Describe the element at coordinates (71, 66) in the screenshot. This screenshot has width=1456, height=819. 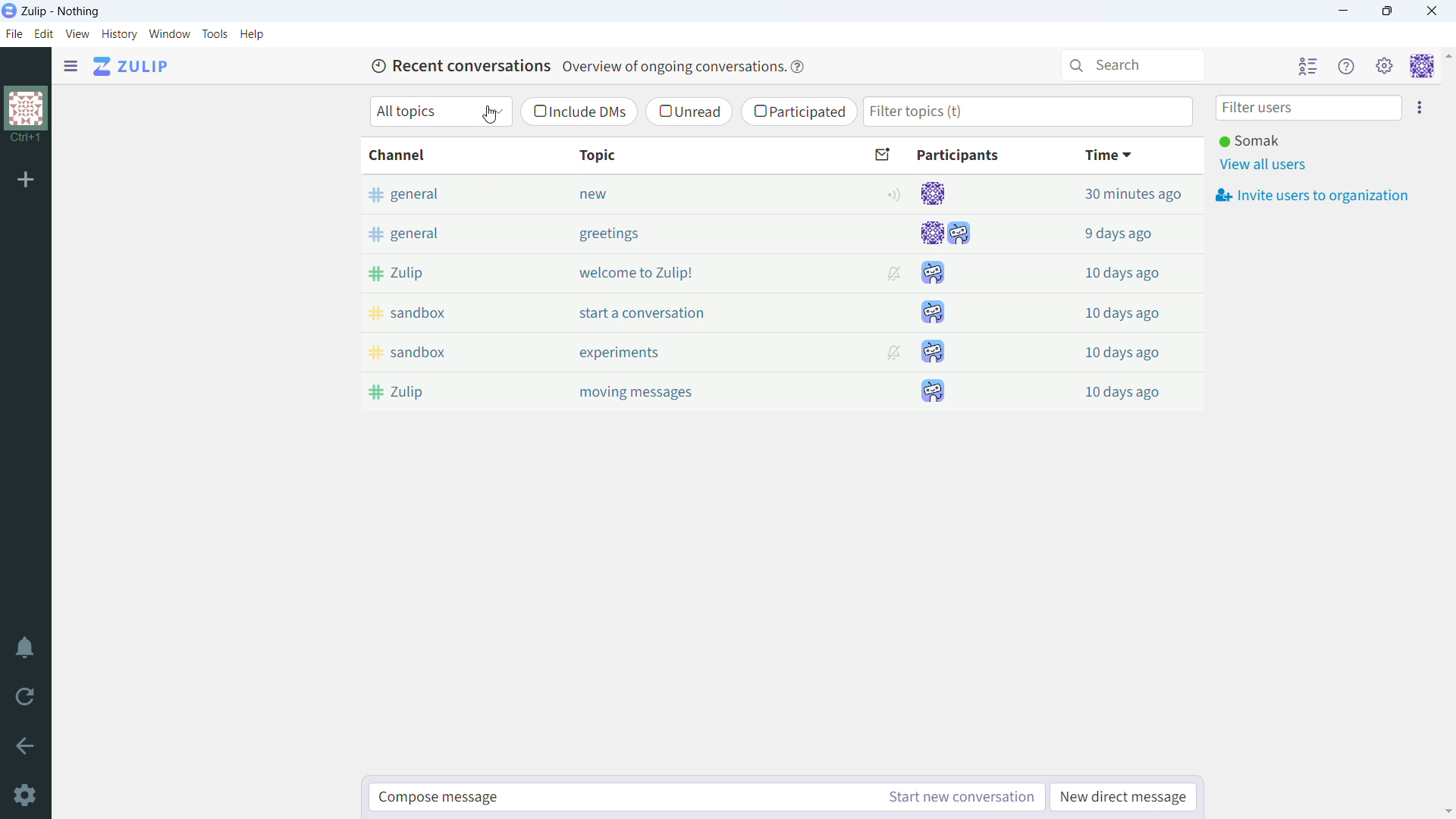
I see `open sidebar menu` at that location.